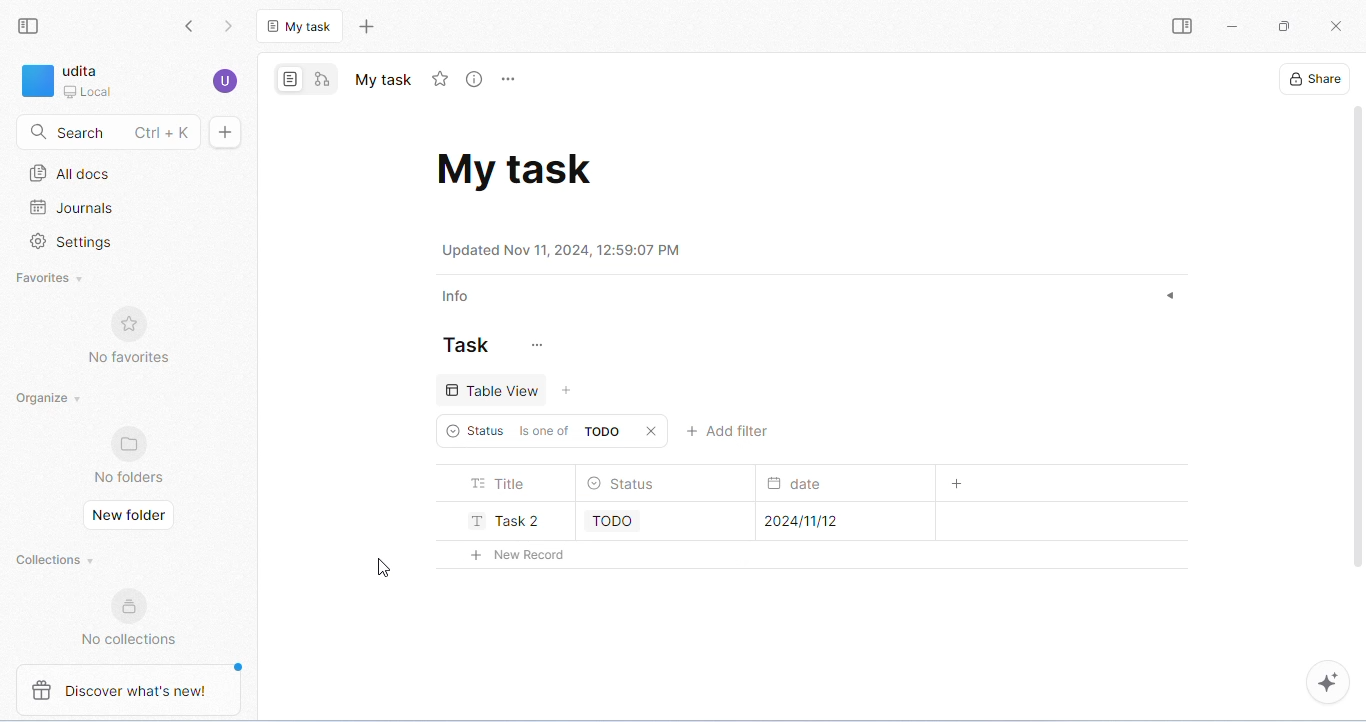  Describe the element at coordinates (1282, 26) in the screenshot. I see `maximize` at that location.